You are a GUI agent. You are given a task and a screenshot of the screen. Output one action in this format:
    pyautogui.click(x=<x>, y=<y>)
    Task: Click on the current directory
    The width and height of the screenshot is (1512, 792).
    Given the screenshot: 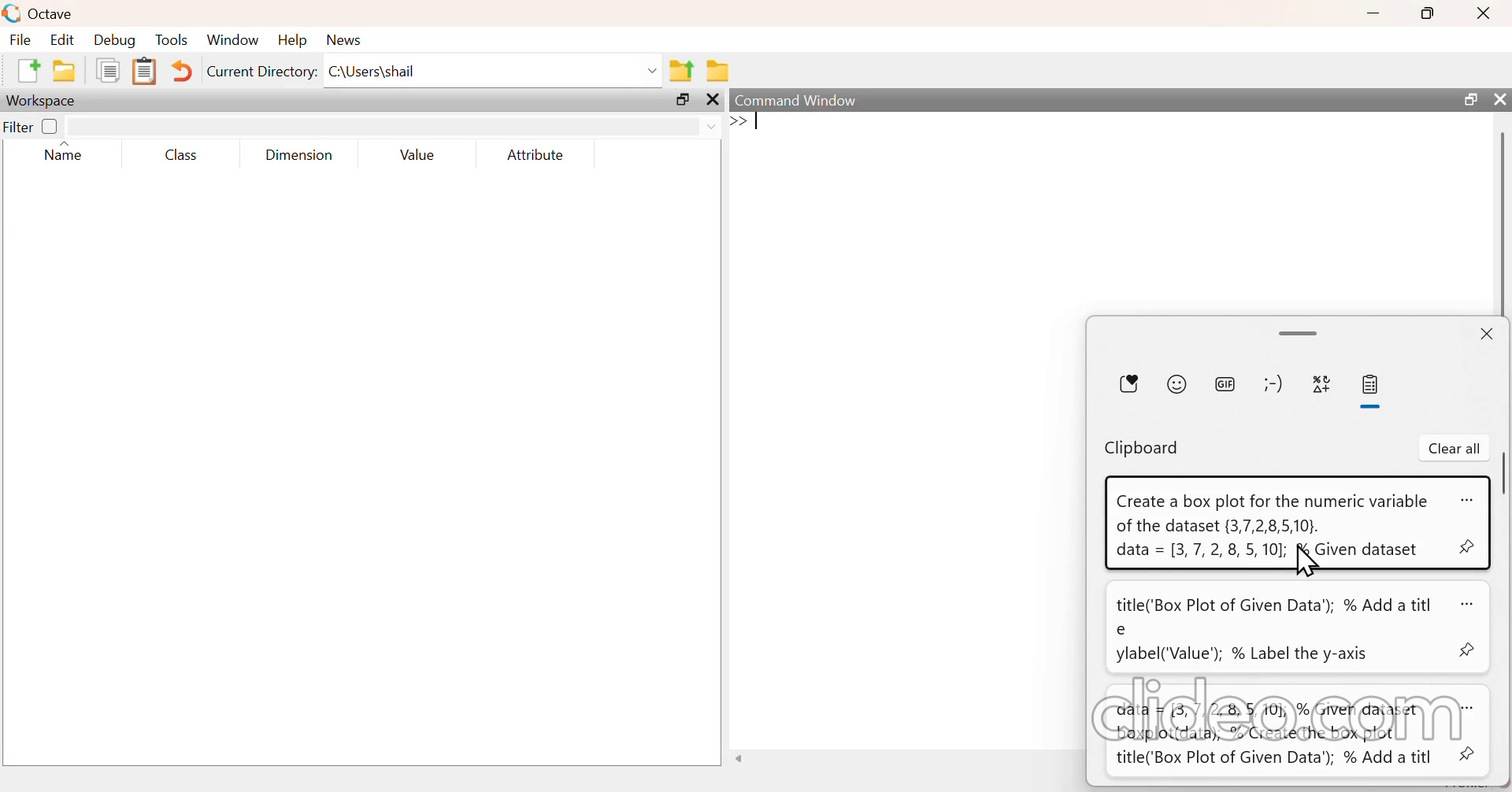 What is the action you would take?
    pyautogui.click(x=263, y=72)
    